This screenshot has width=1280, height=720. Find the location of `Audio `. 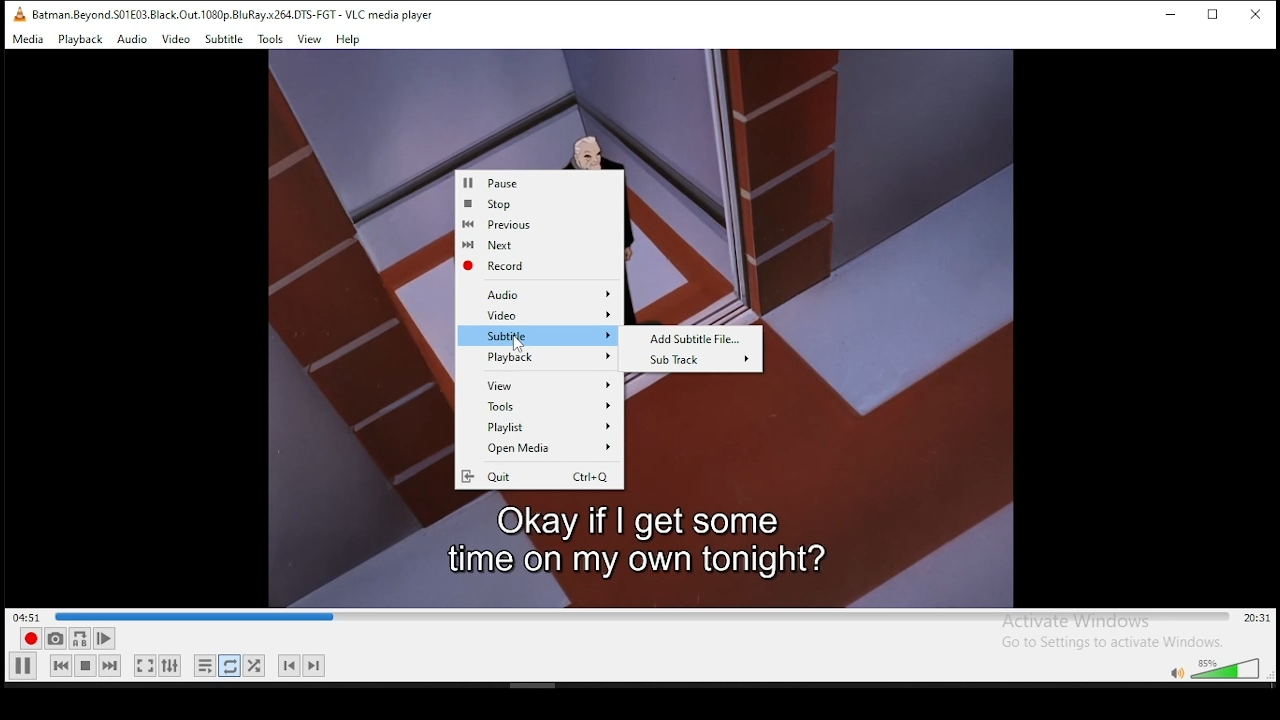

Audio  is located at coordinates (549, 296).